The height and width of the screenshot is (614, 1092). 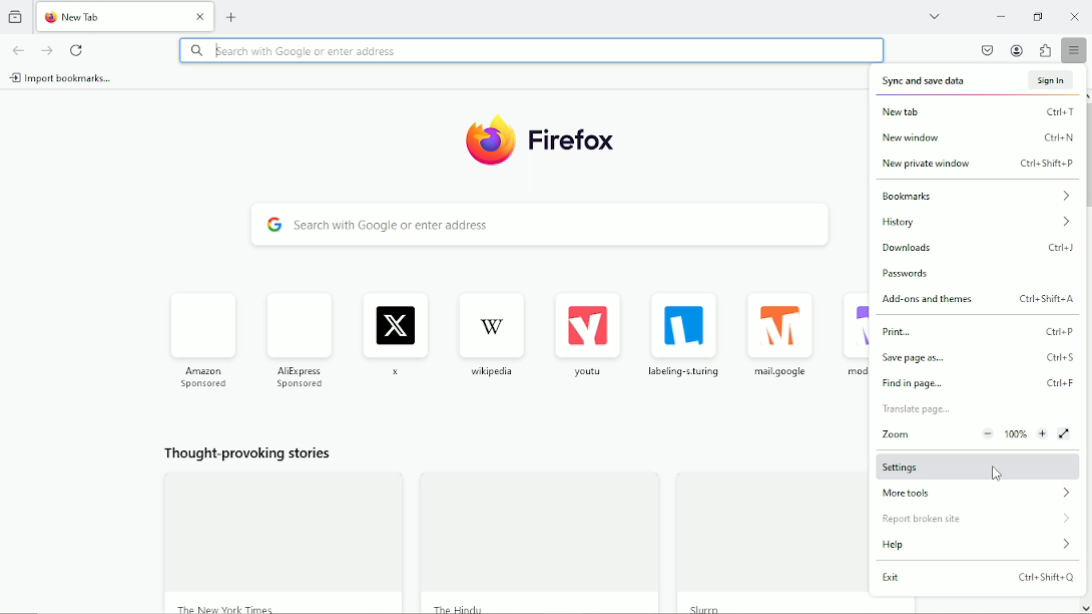 What do you see at coordinates (16, 15) in the screenshot?
I see `View recent browsing` at bounding box center [16, 15].